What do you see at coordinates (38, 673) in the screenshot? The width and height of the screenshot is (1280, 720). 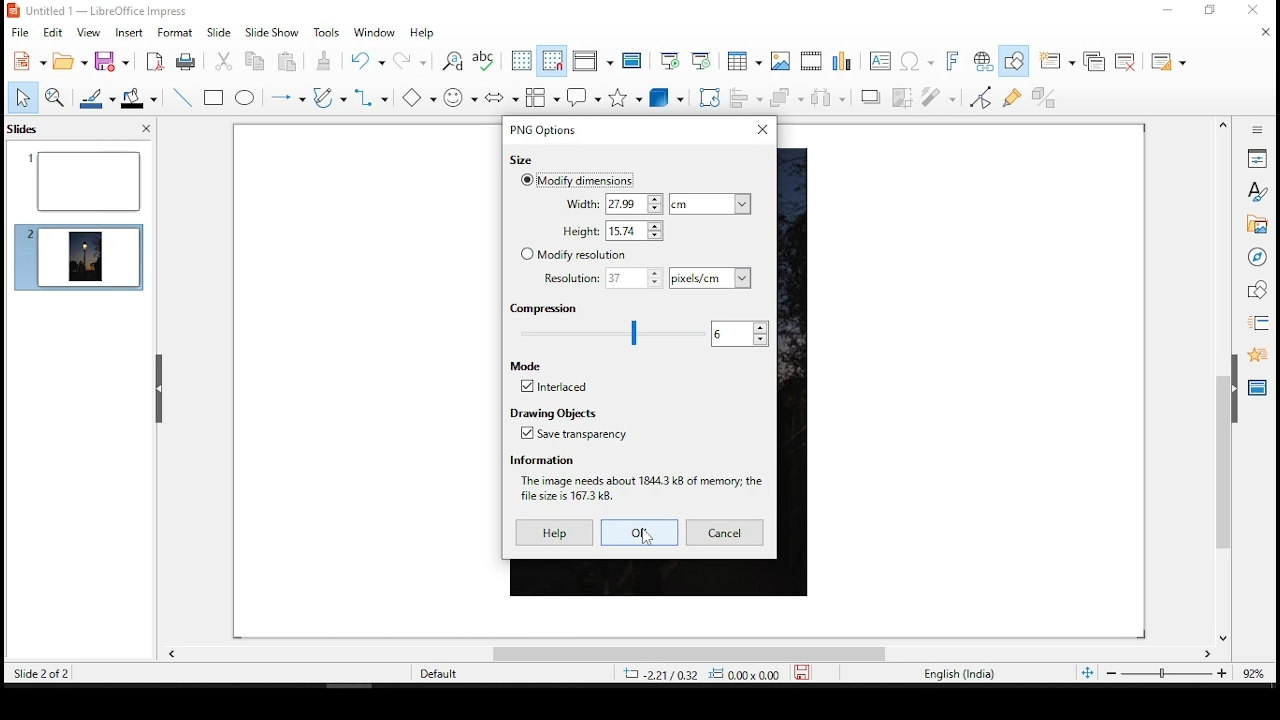 I see `Slide 2 of 2` at bounding box center [38, 673].